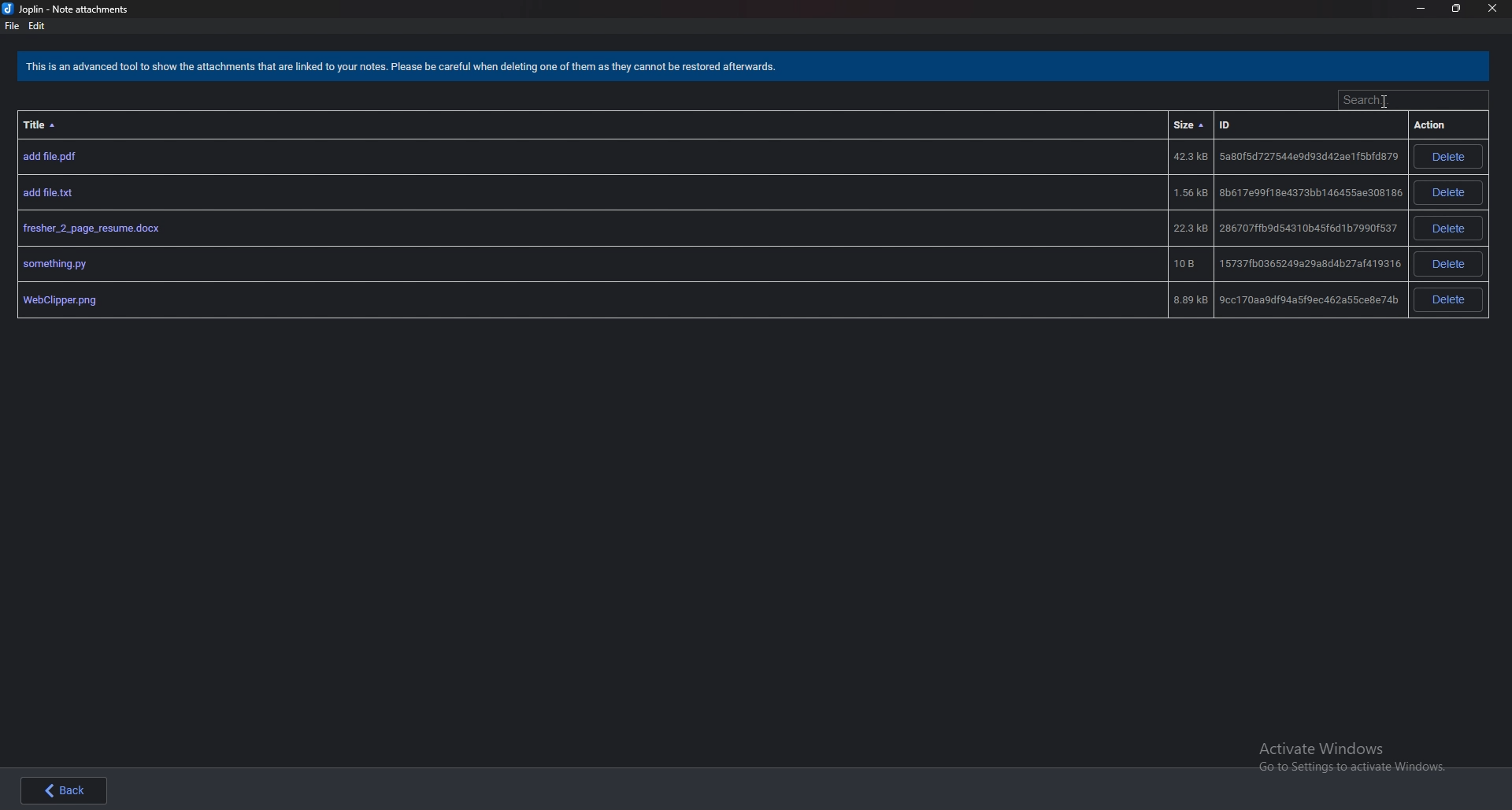 This screenshot has width=1512, height=810. Describe the element at coordinates (1437, 124) in the screenshot. I see `Action` at that location.